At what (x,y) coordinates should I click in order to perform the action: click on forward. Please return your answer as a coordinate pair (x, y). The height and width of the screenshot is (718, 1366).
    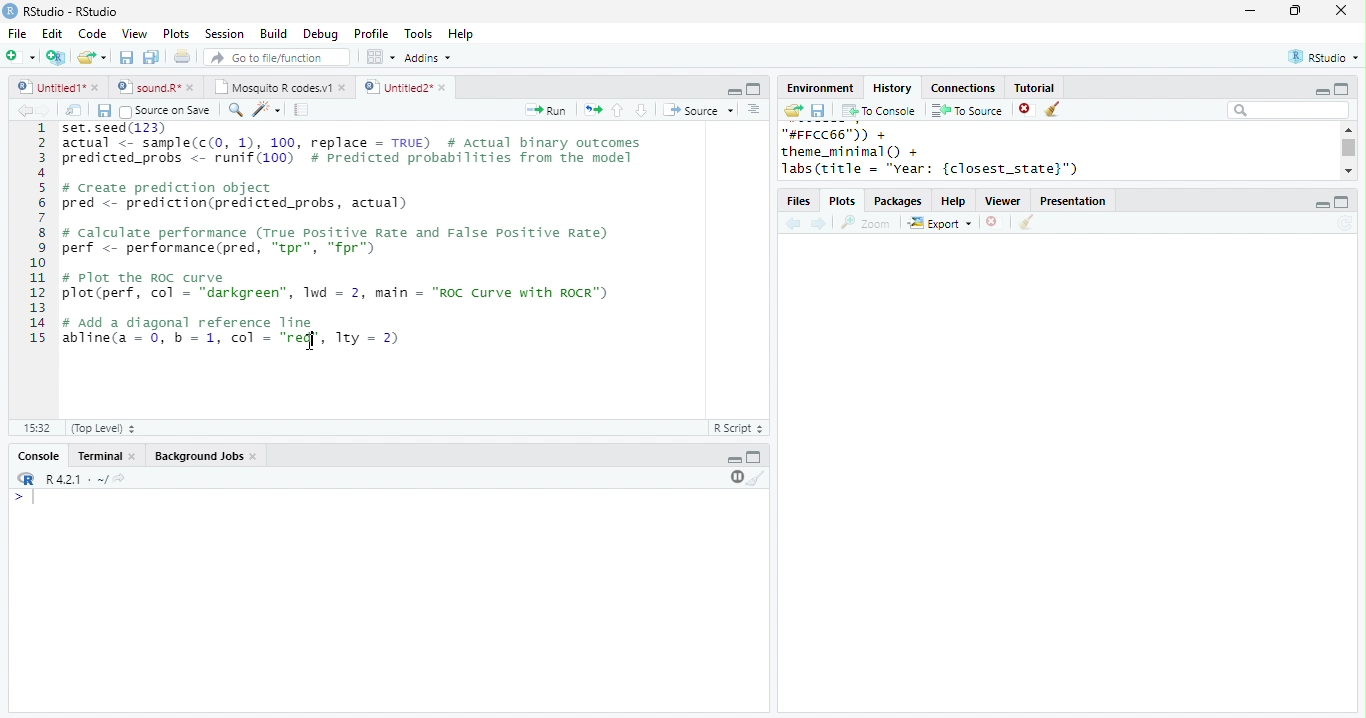
    Looking at the image, I should click on (44, 110).